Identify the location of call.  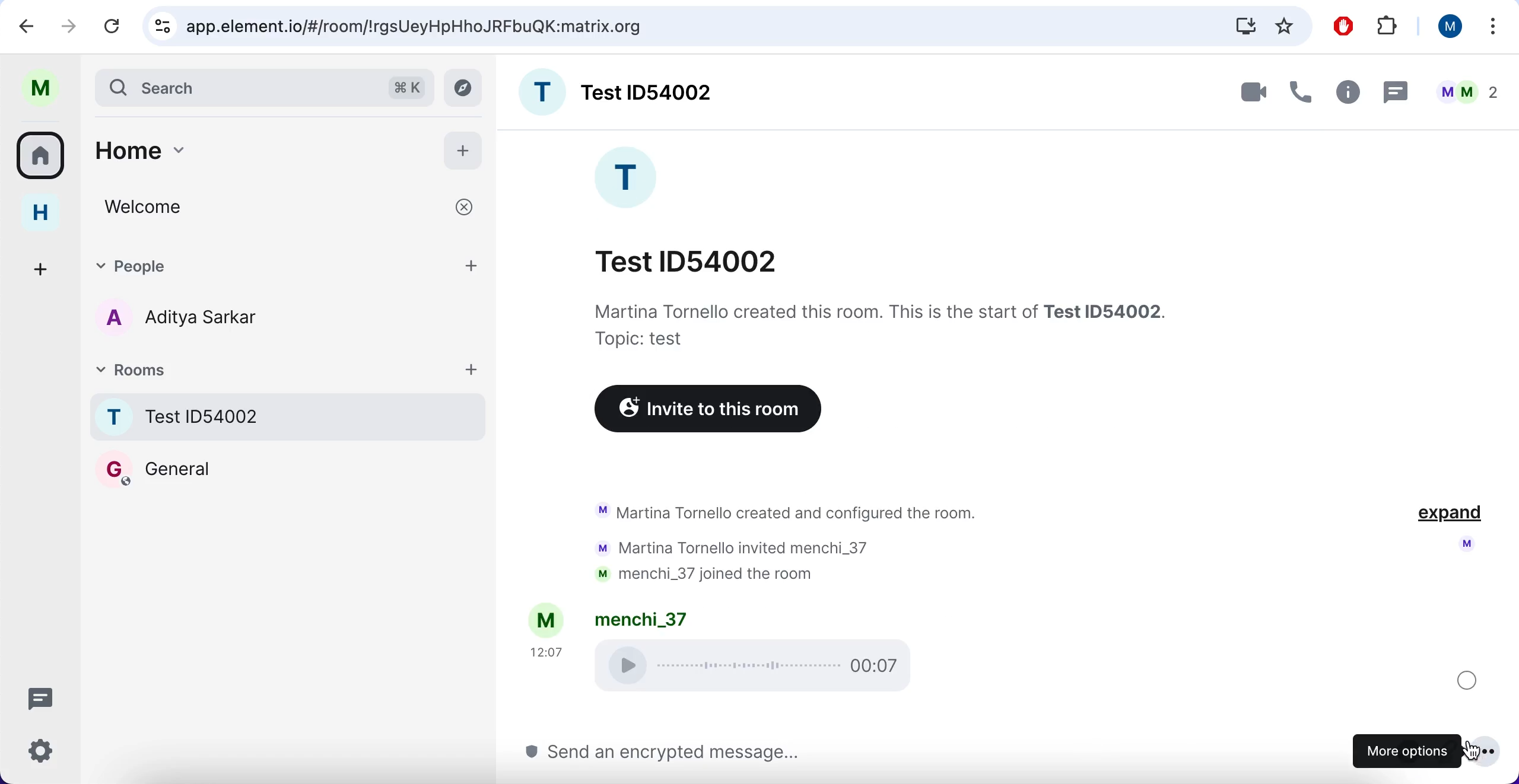
(1302, 88).